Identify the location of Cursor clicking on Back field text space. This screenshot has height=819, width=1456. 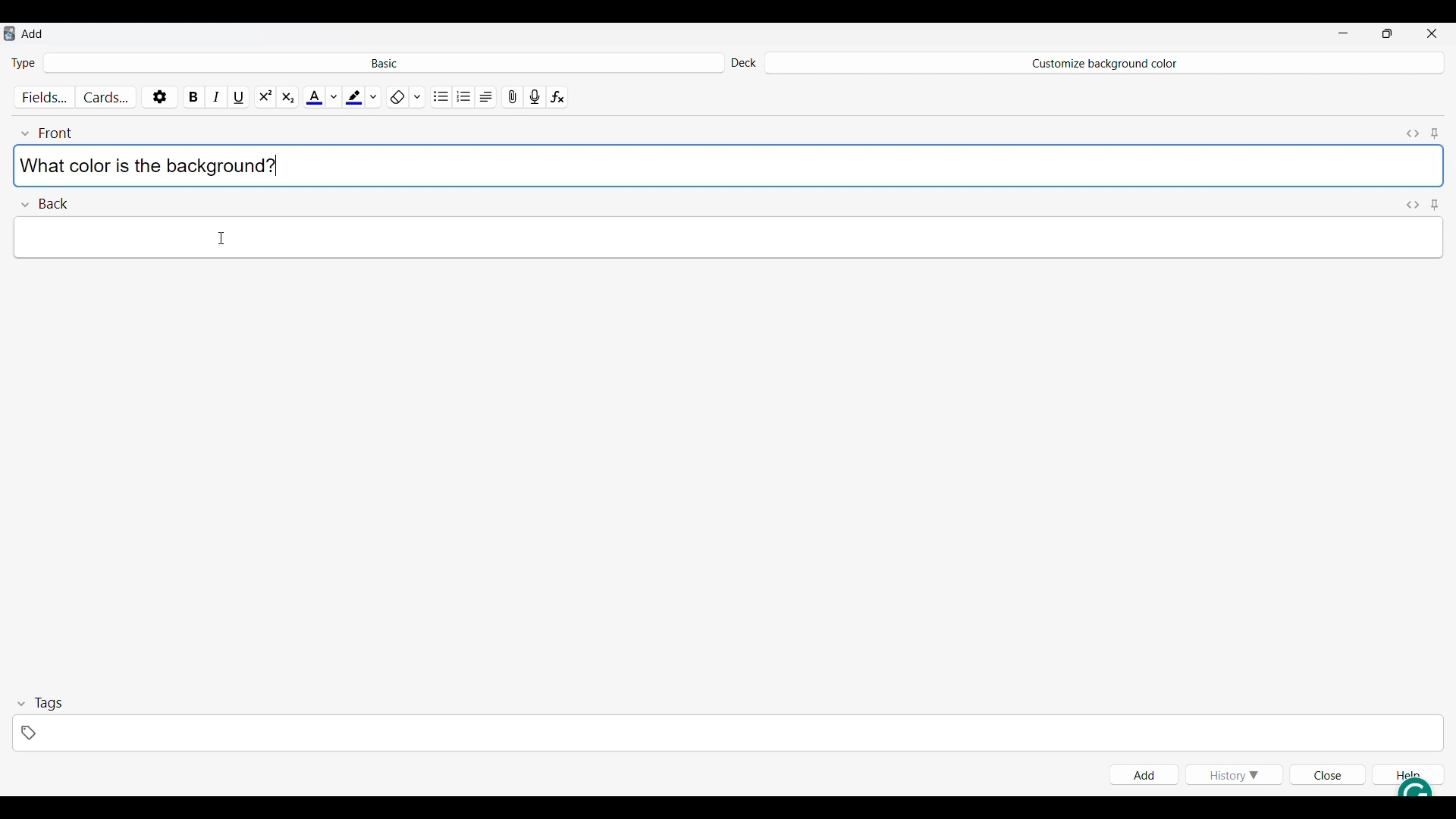
(222, 237).